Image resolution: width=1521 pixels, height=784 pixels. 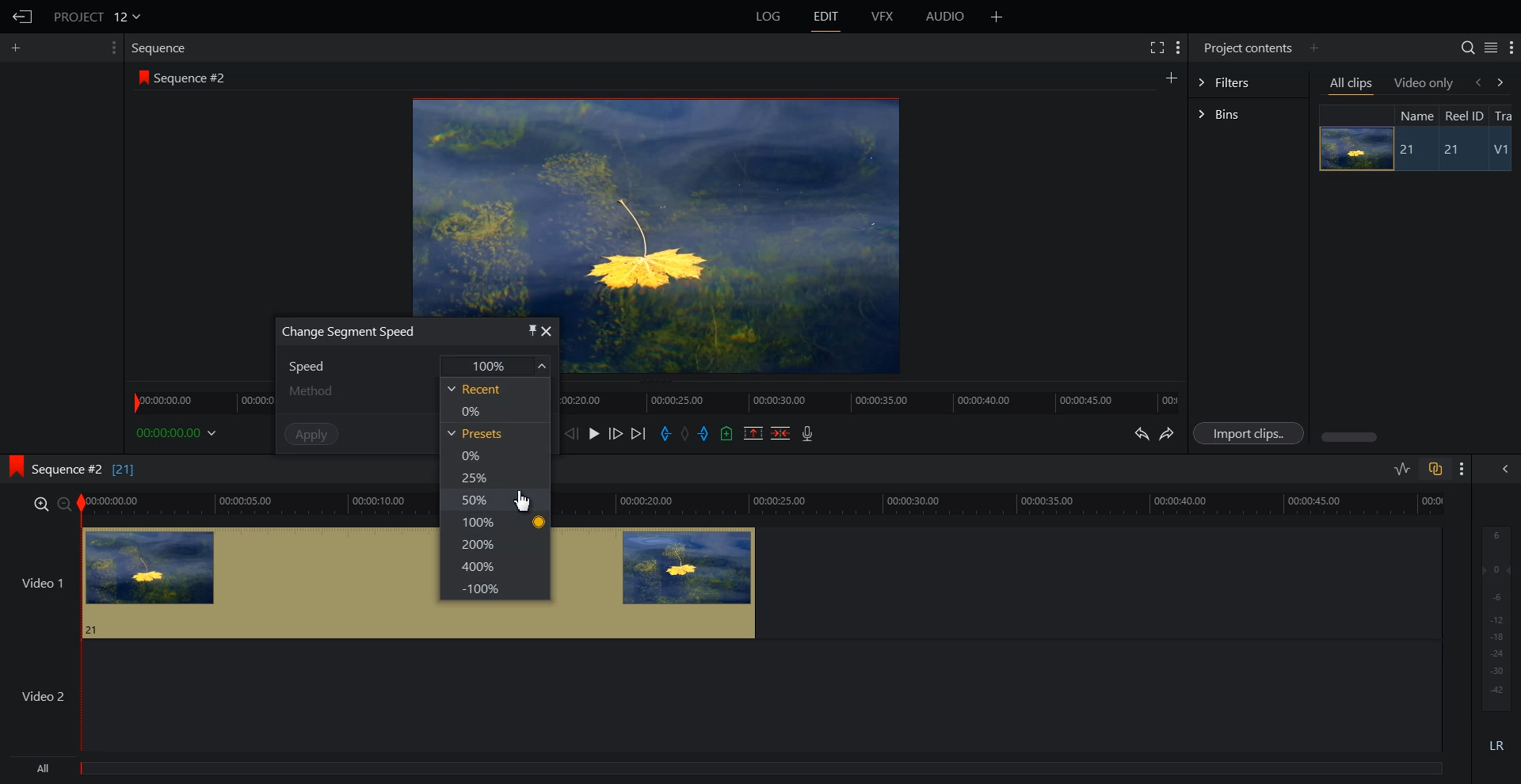 I want to click on 0%, so click(x=471, y=455).